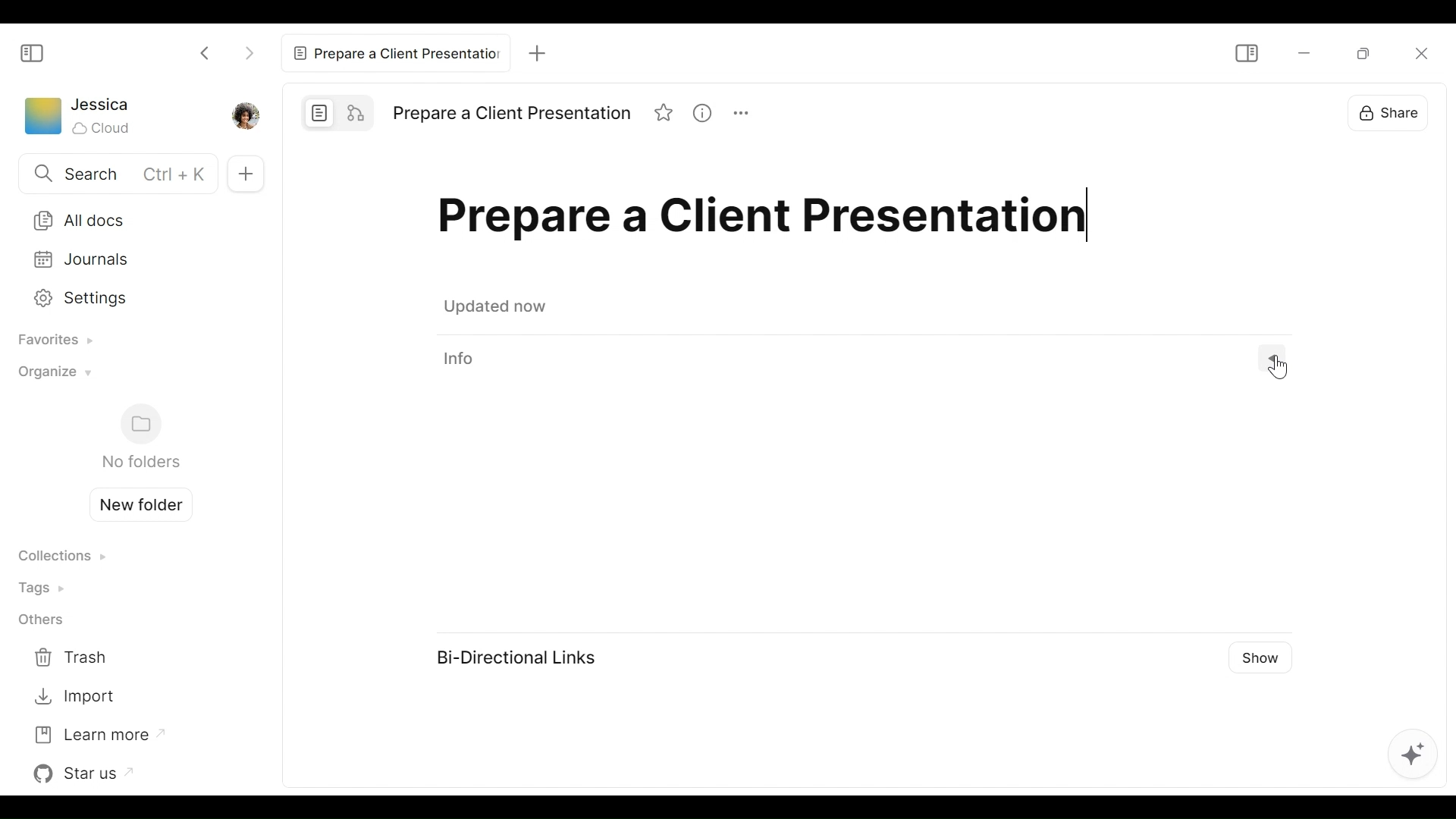 This screenshot has width=1456, height=819. I want to click on Favorite, so click(665, 115).